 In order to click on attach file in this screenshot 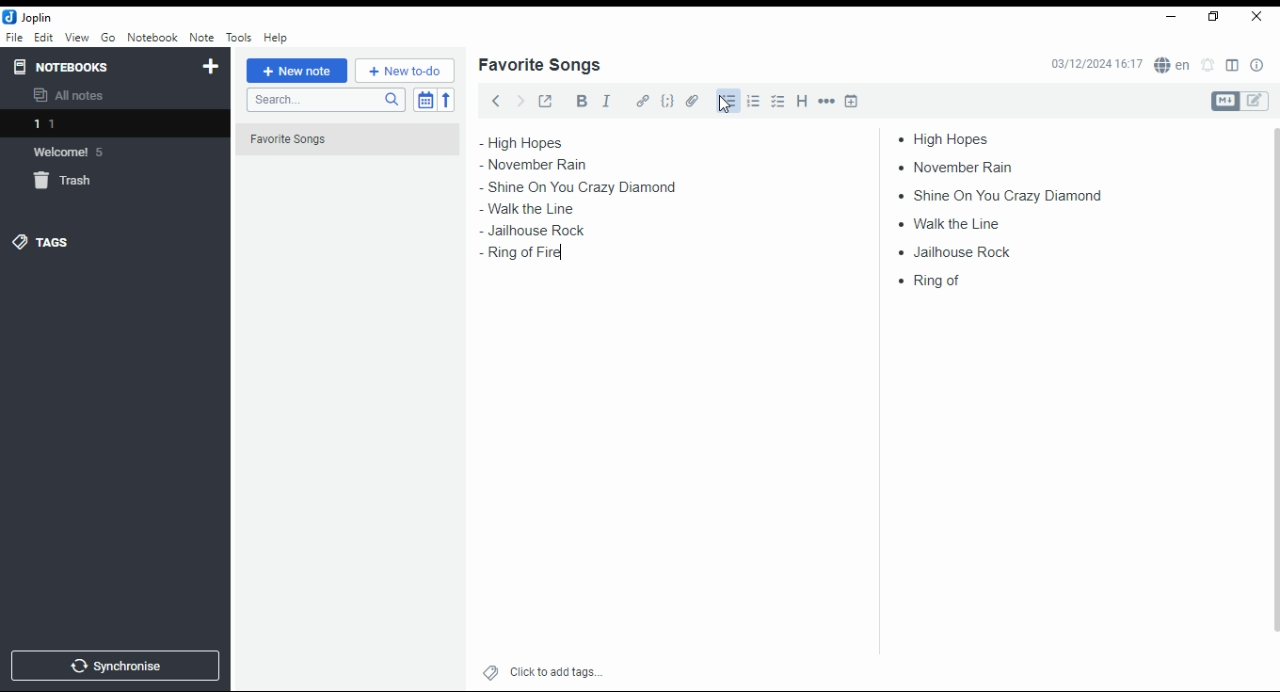, I will do `click(693, 100)`.